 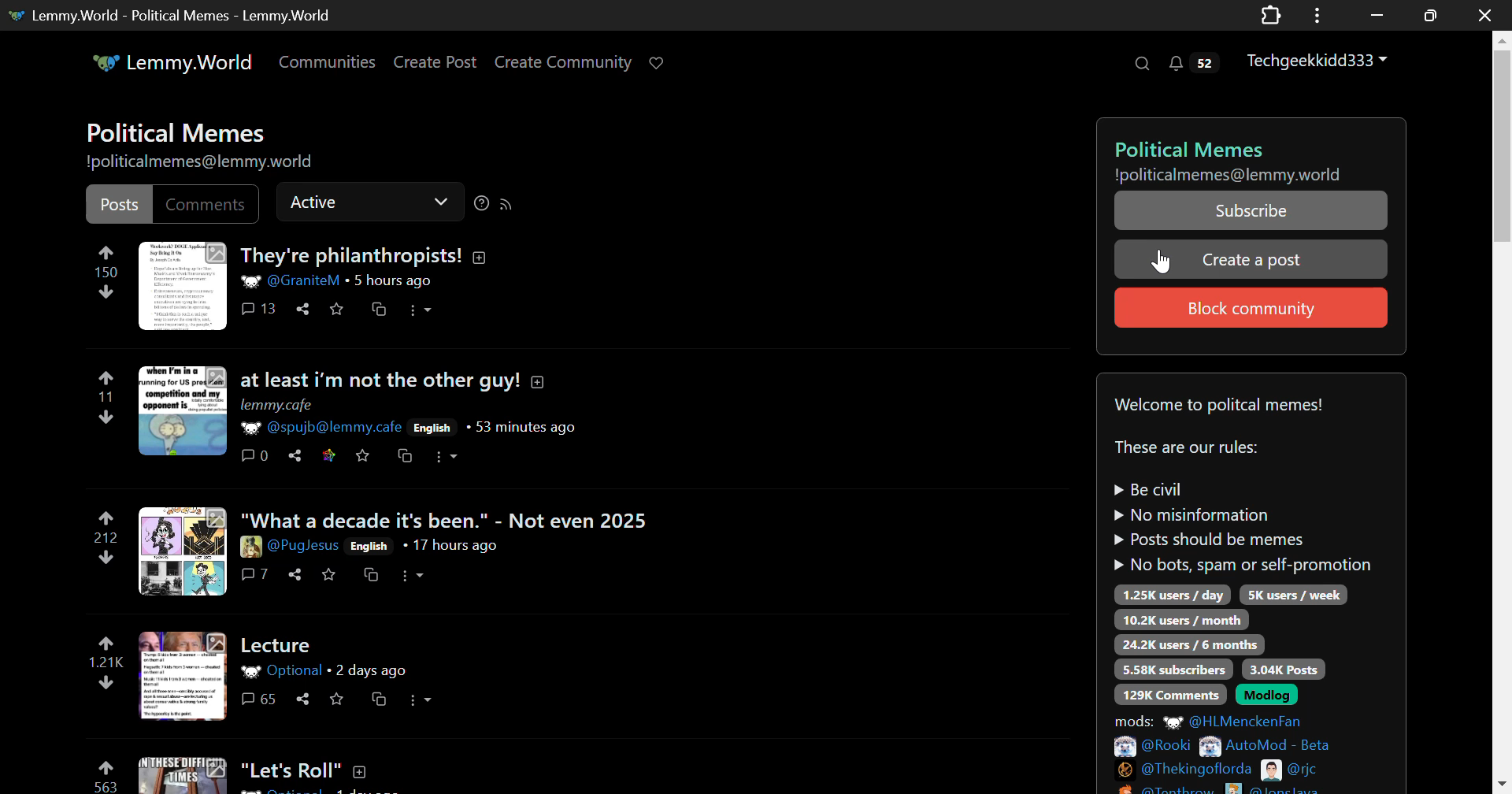 What do you see at coordinates (294, 455) in the screenshot?
I see `Share` at bounding box center [294, 455].